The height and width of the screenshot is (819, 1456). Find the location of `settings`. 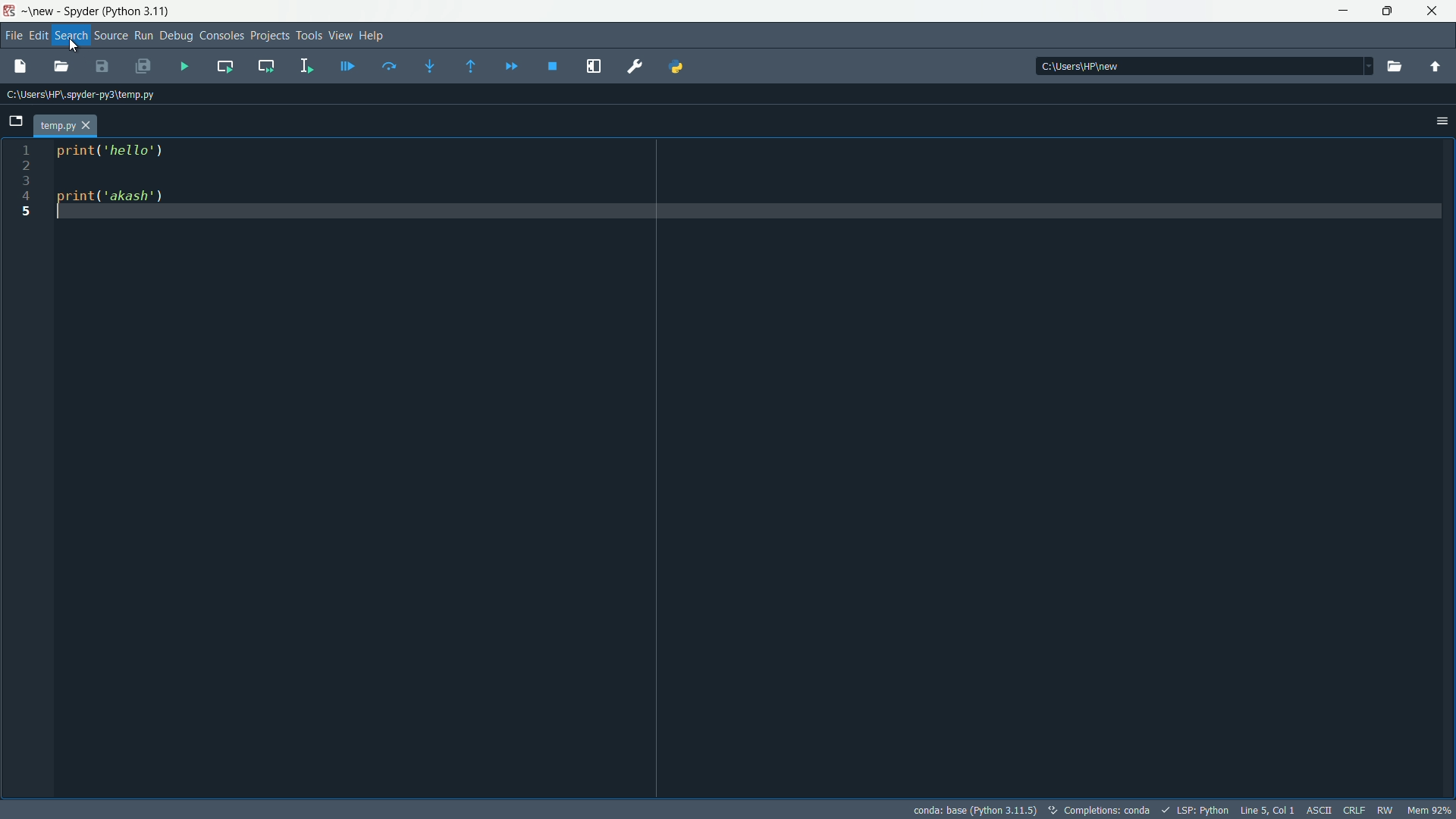

settings is located at coordinates (1441, 121).